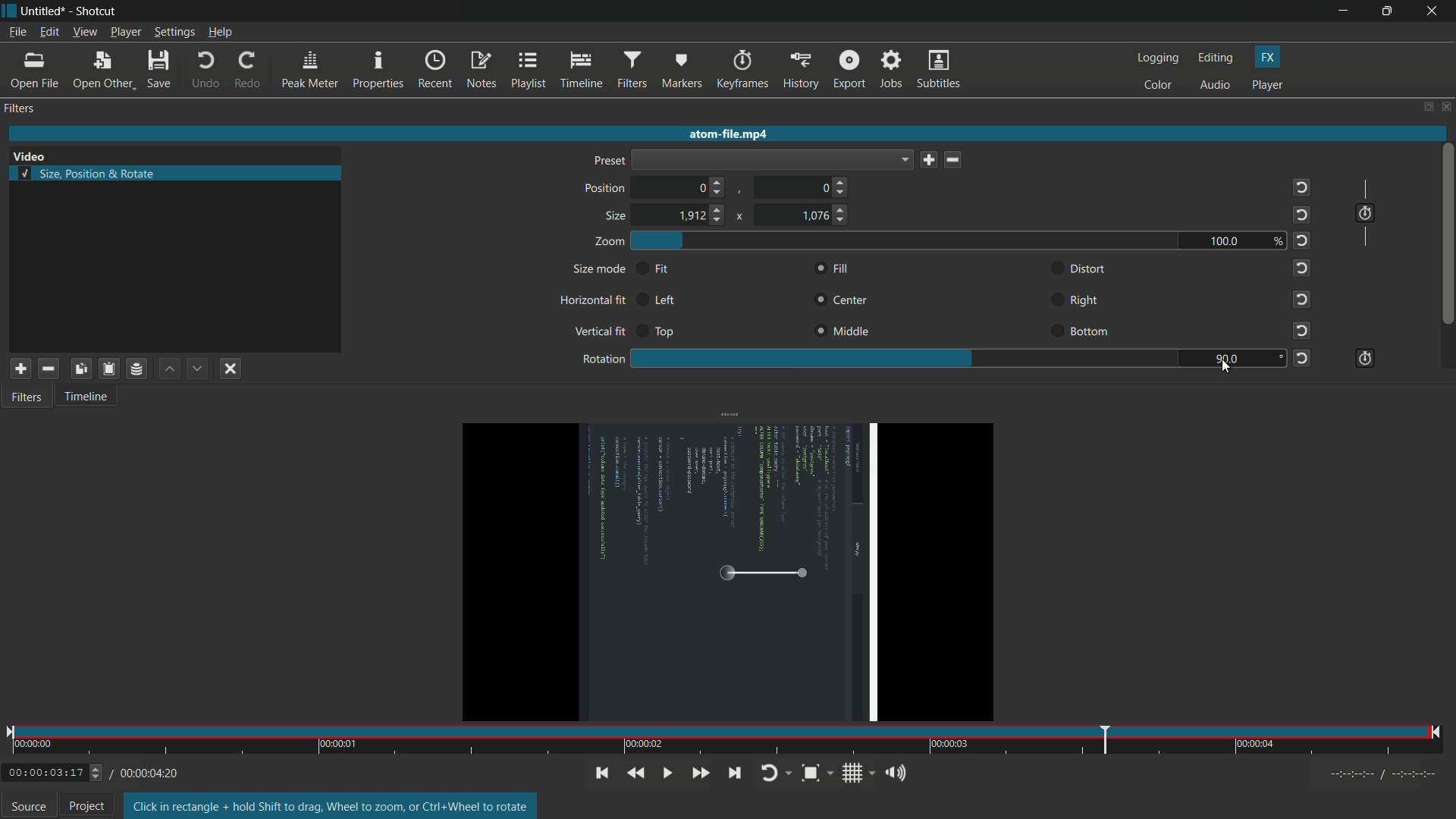 Image resolution: width=1456 pixels, height=819 pixels. What do you see at coordinates (700, 774) in the screenshot?
I see `quickly play forward` at bounding box center [700, 774].